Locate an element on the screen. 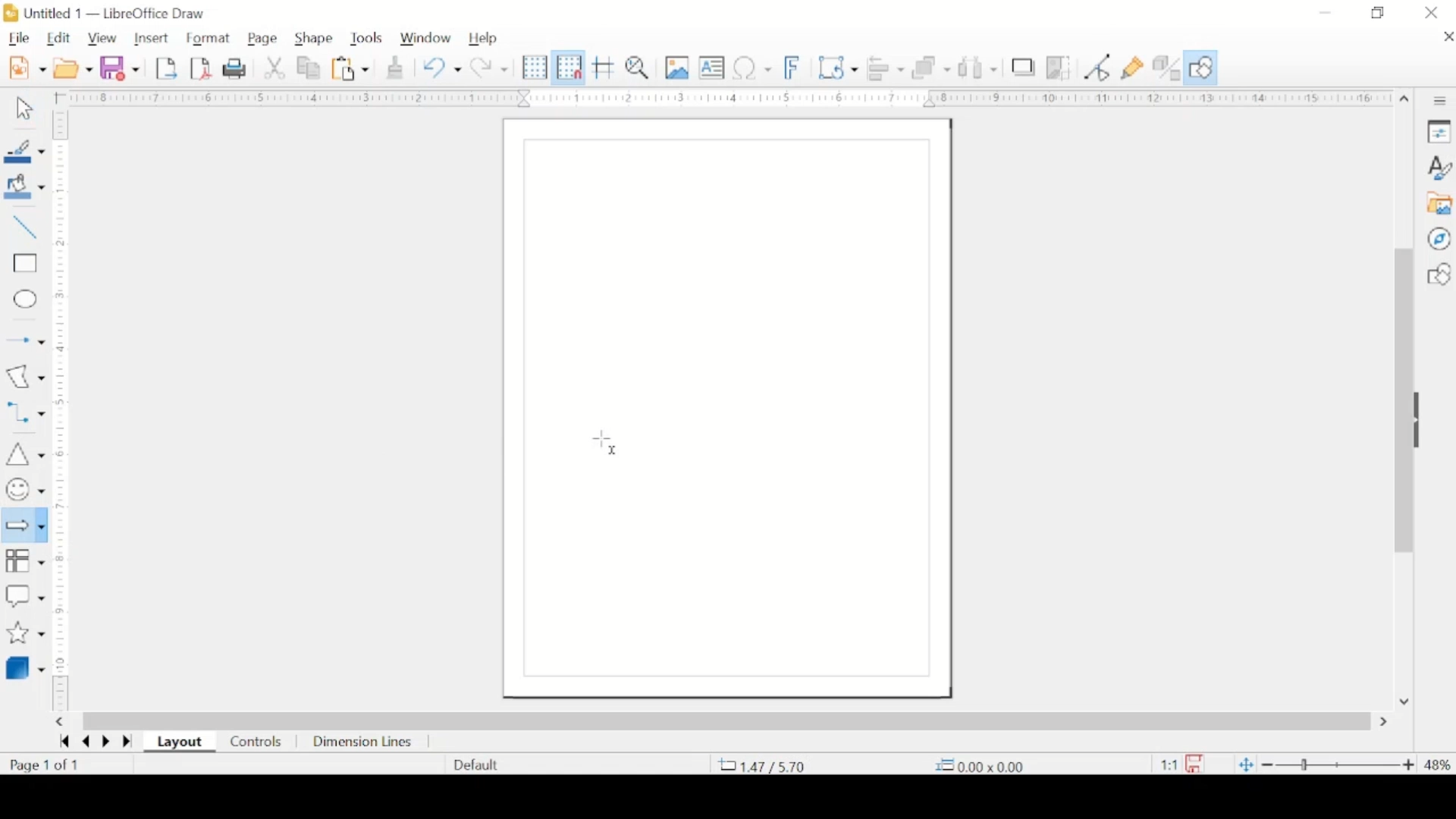 Image resolution: width=1456 pixels, height=819 pixels. undo is located at coordinates (442, 67).